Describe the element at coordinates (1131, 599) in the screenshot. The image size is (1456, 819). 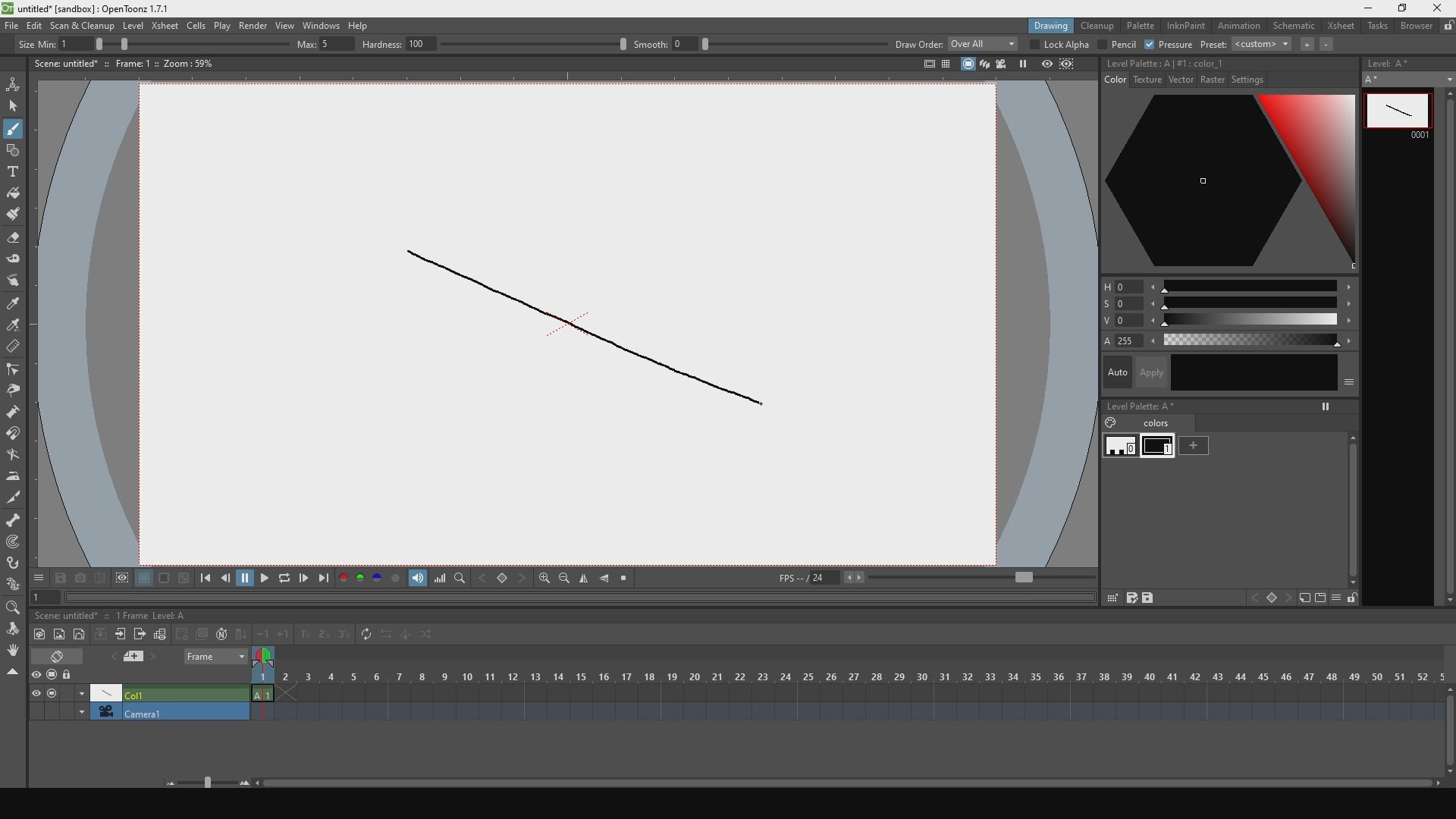
I see `save` at that location.